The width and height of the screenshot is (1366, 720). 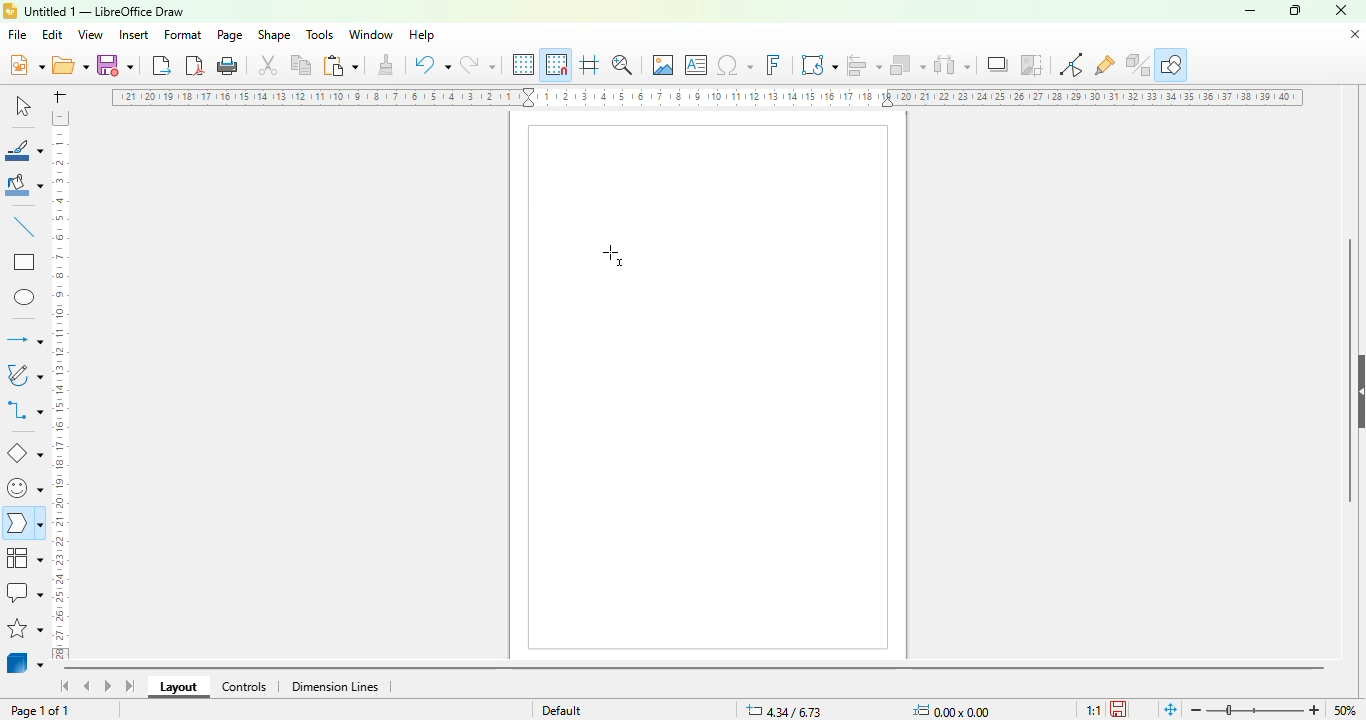 What do you see at coordinates (195, 65) in the screenshot?
I see `export directly as PDF` at bounding box center [195, 65].